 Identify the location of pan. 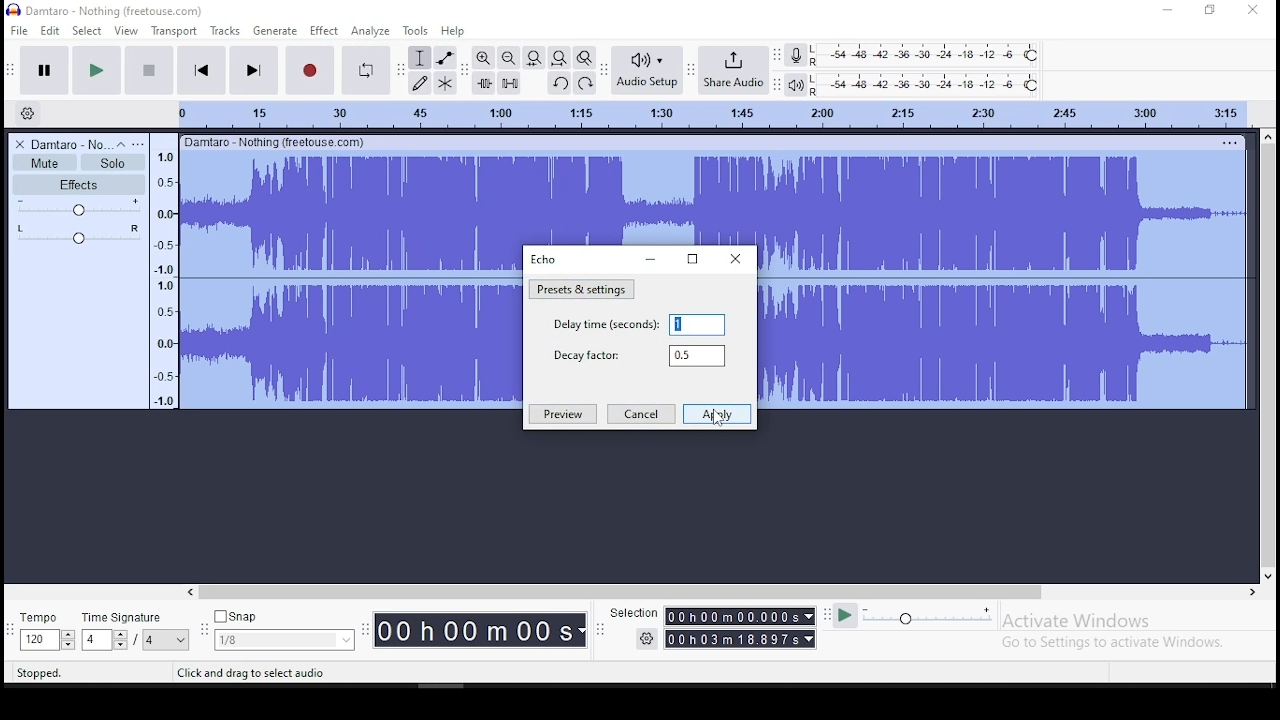
(78, 233).